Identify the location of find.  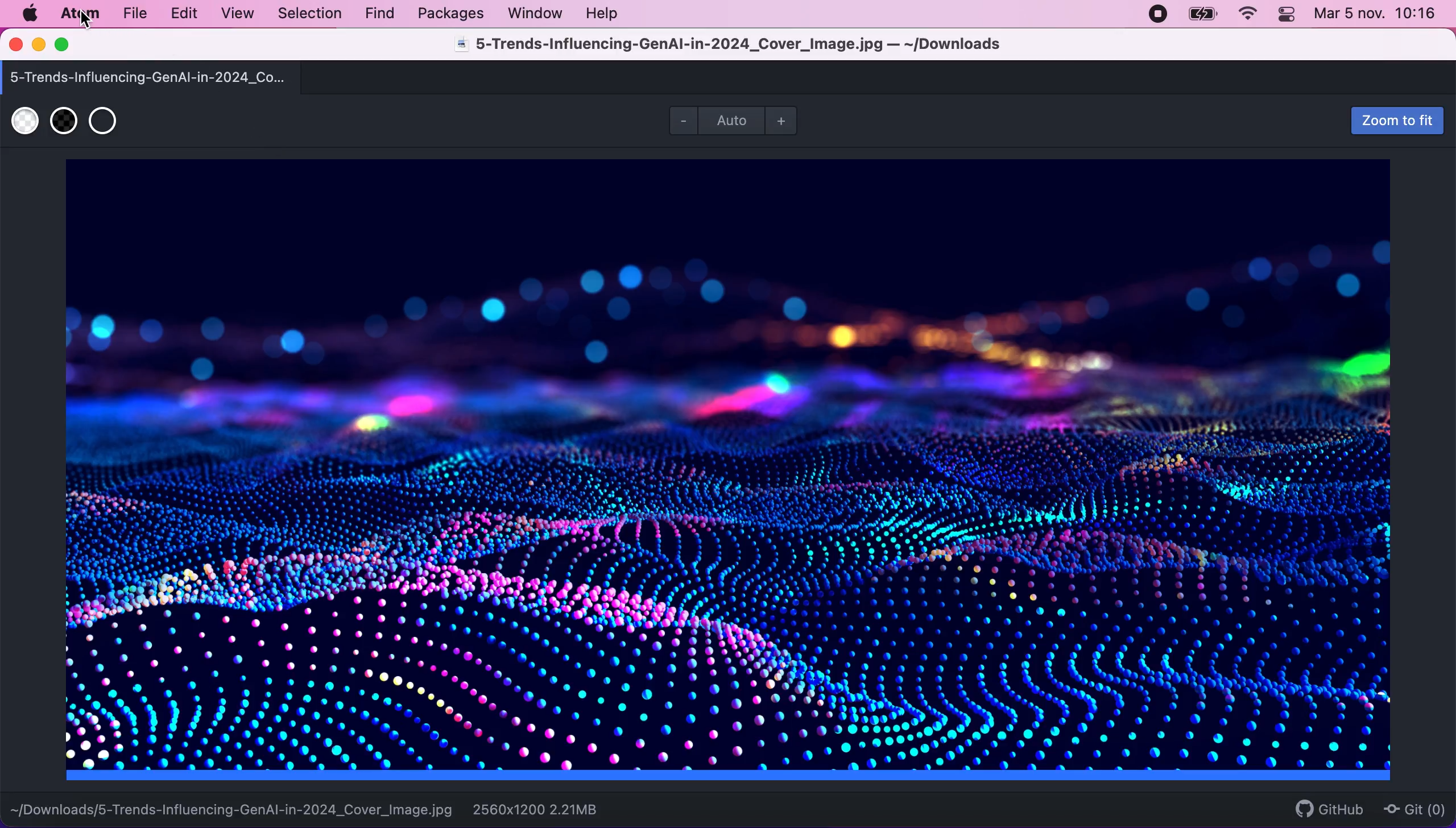
(379, 14).